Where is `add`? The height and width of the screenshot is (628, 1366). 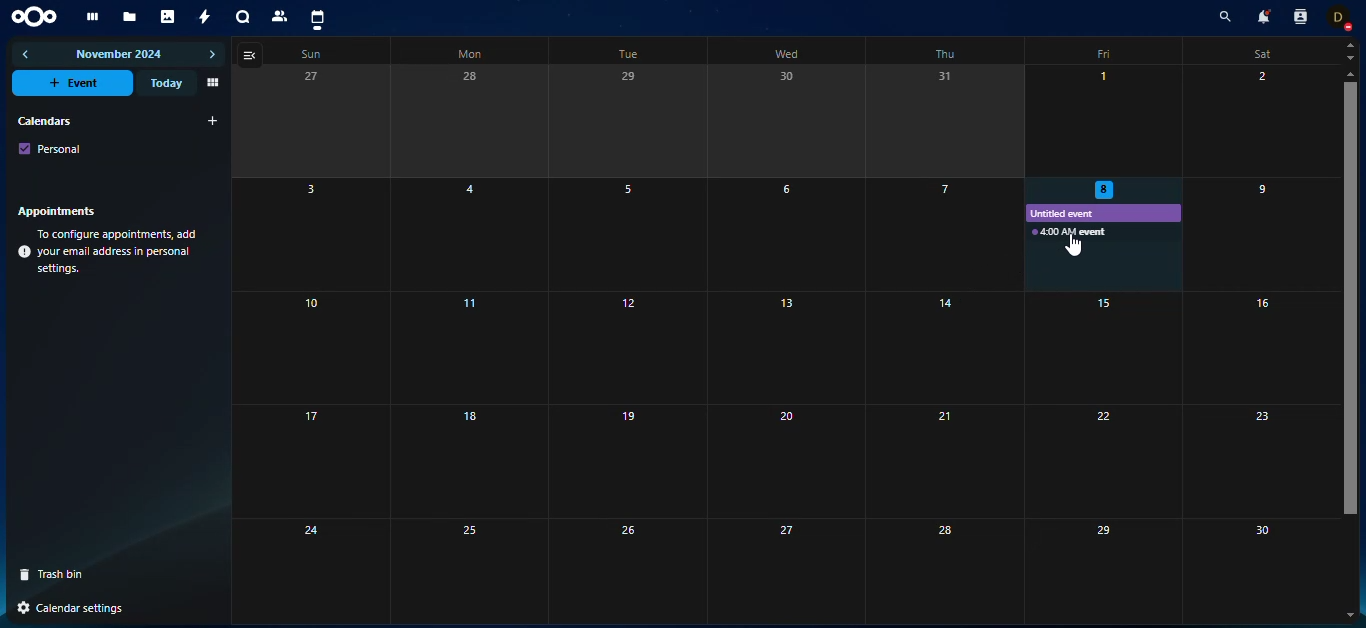 add is located at coordinates (213, 121).